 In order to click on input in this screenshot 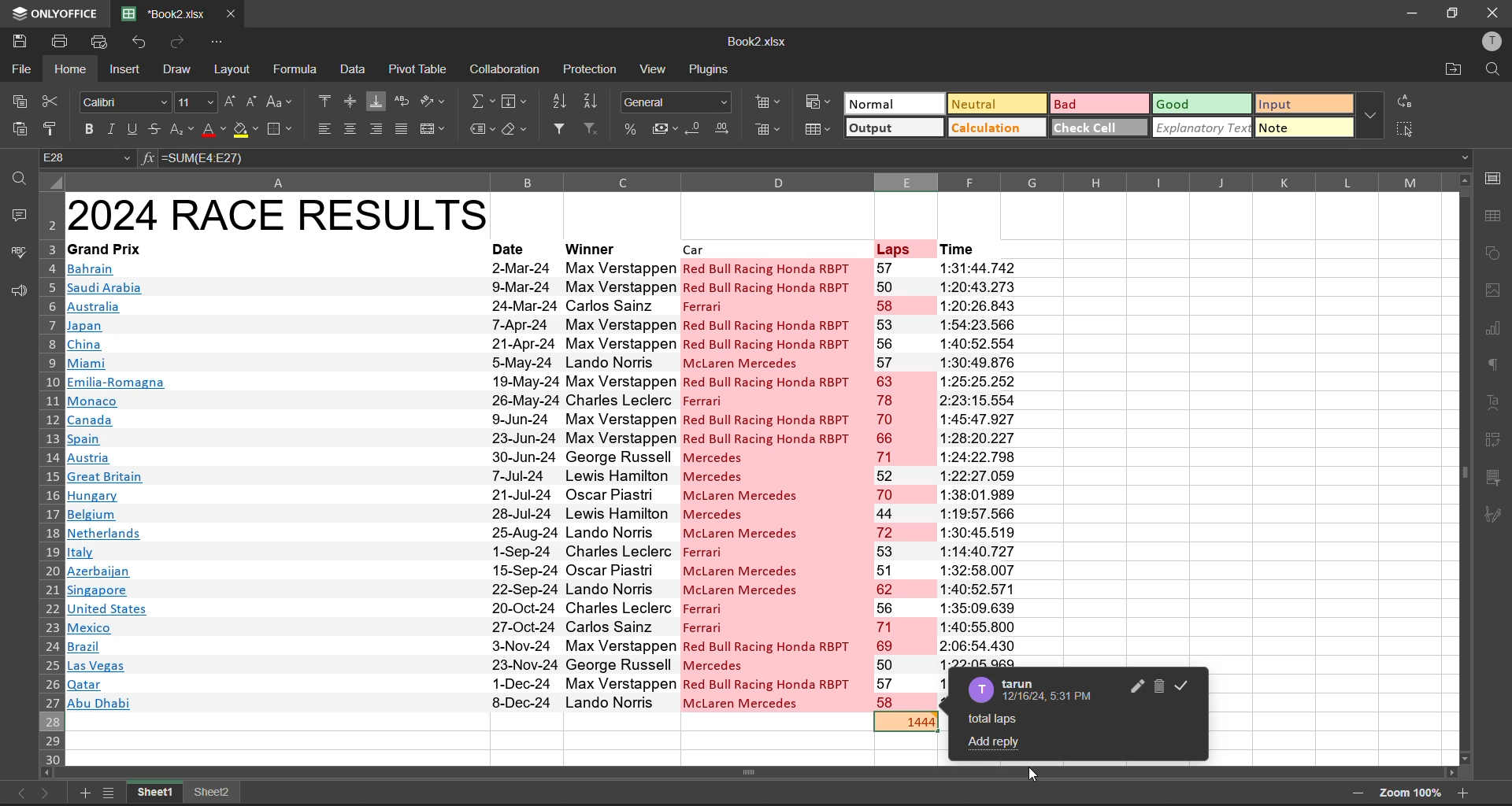, I will do `click(1301, 105)`.